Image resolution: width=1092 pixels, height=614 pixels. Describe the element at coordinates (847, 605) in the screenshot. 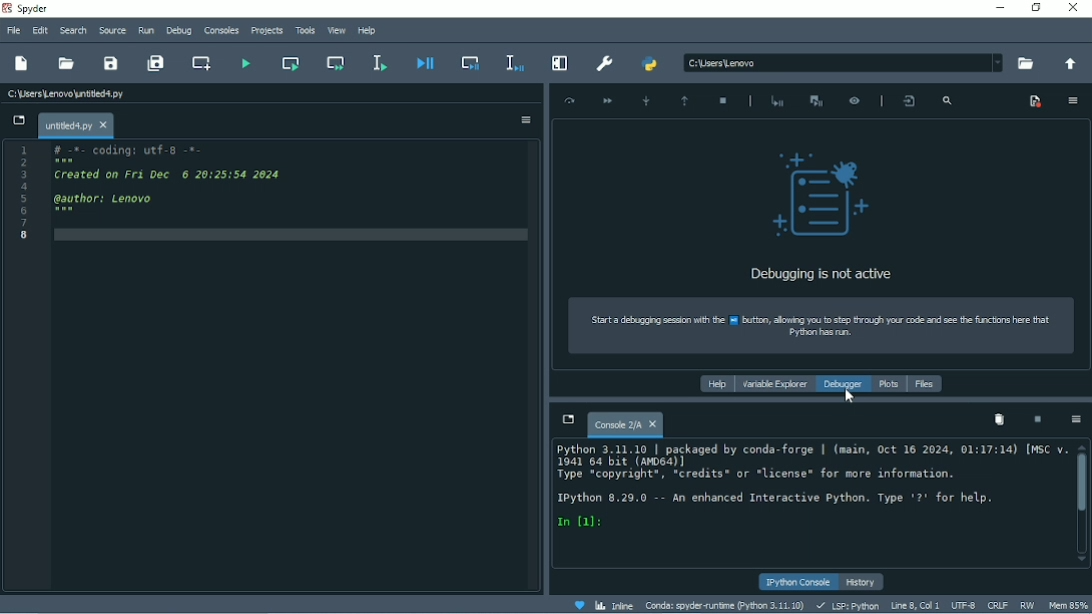

I see `LSP` at that location.